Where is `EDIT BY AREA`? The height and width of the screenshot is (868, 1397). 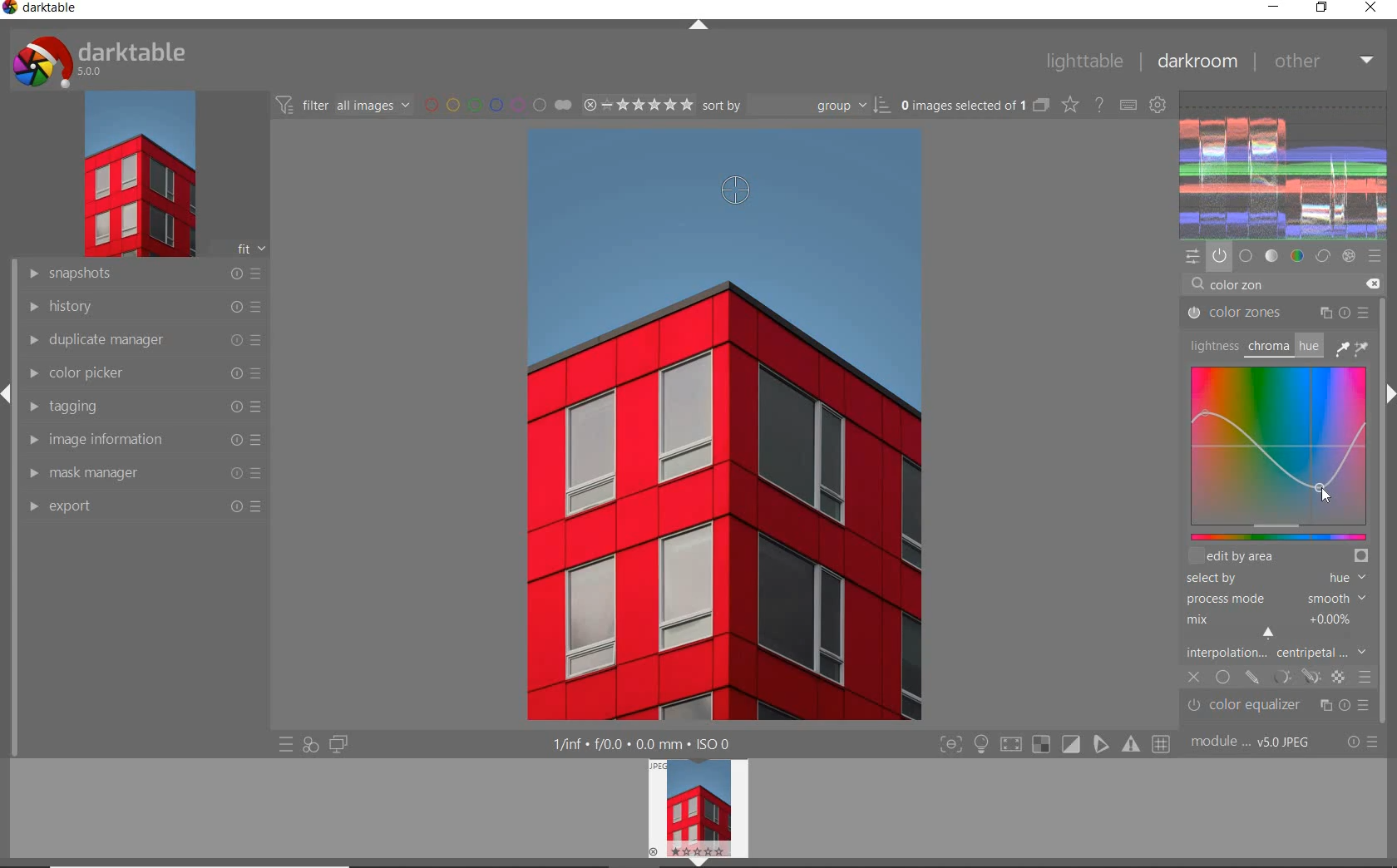 EDIT BY AREA is located at coordinates (1278, 557).